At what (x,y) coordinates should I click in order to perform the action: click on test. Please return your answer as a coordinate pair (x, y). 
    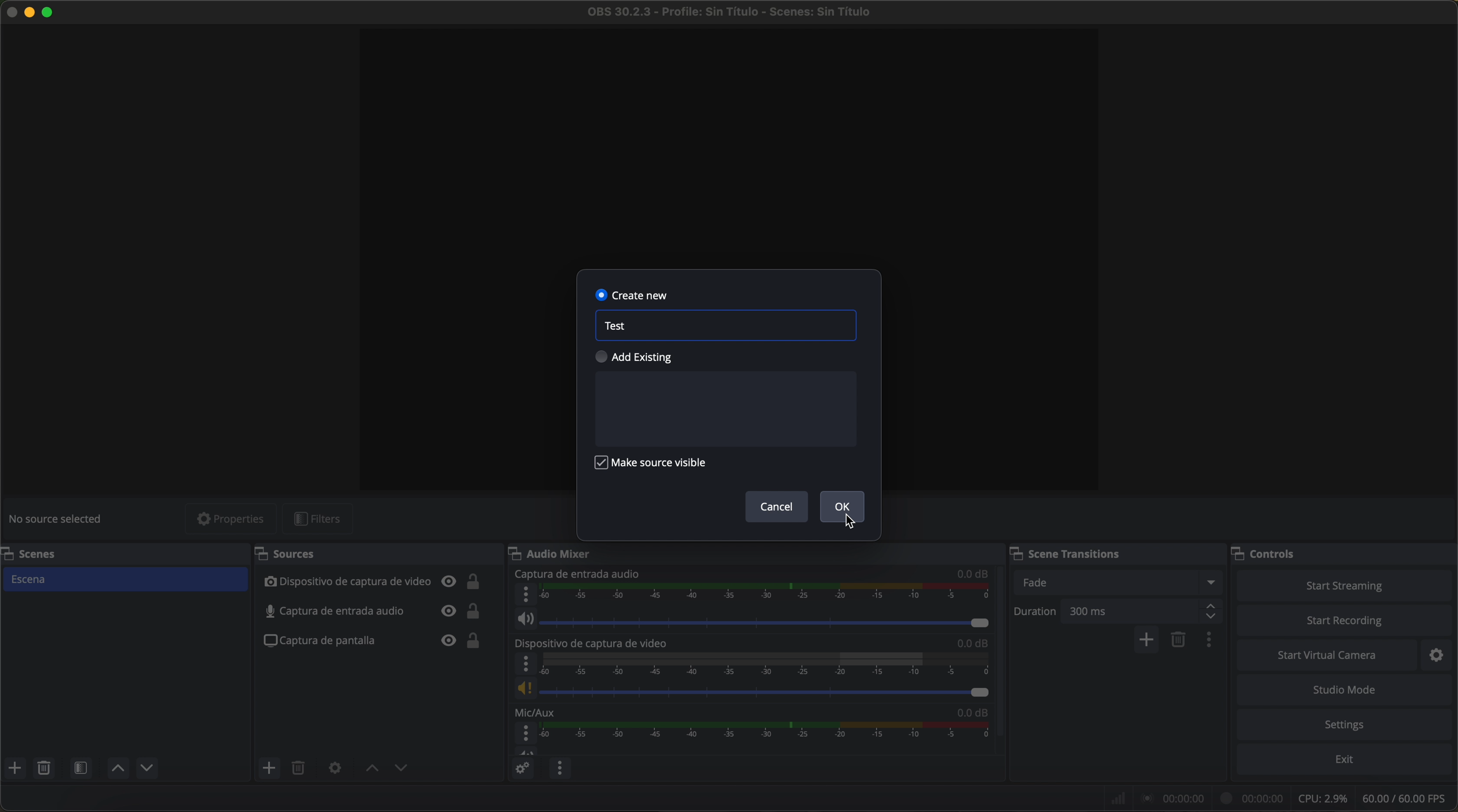
    Looking at the image, I should click on (616, 326).